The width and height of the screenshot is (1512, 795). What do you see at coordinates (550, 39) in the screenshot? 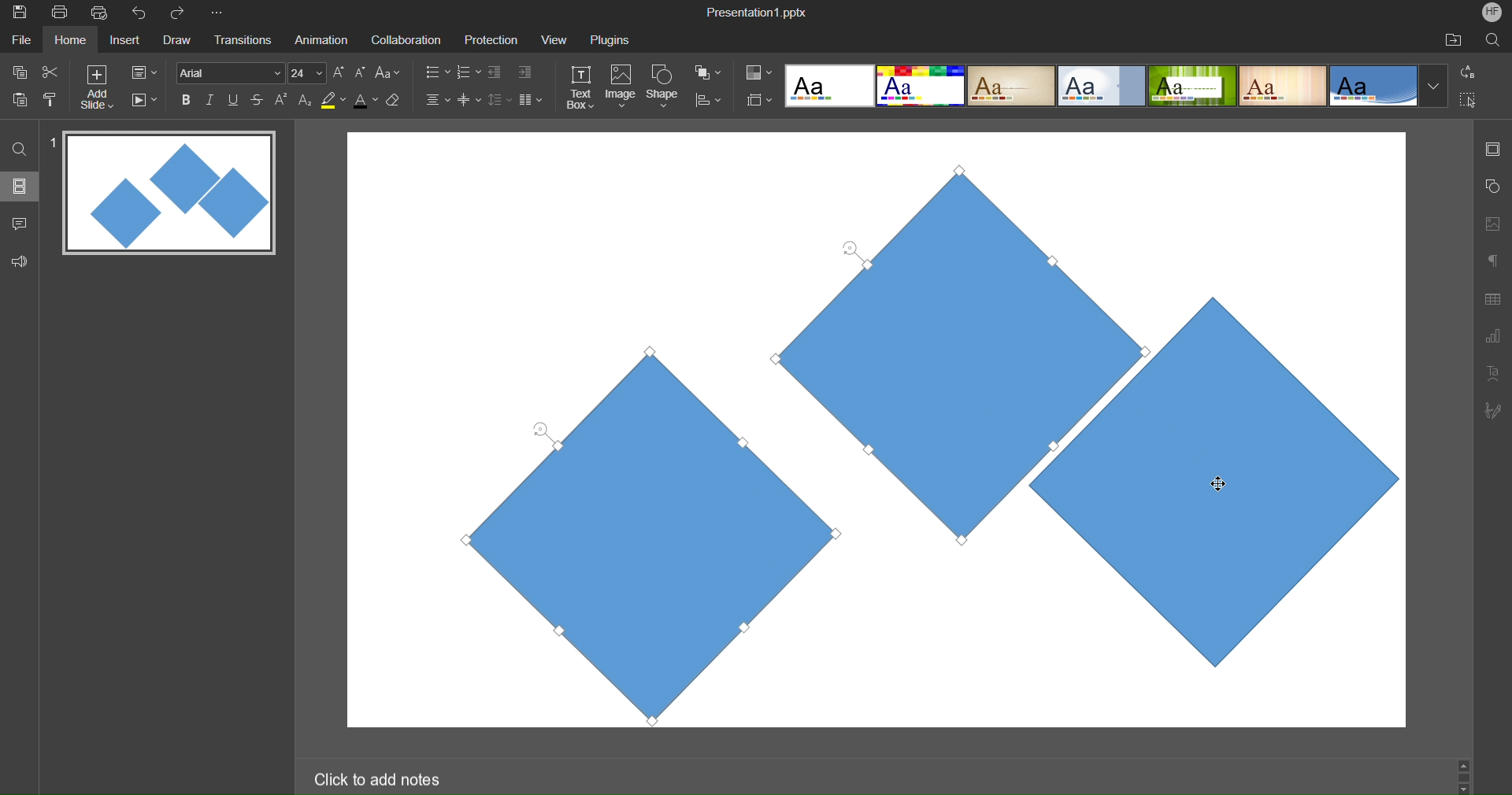
I see `View` at bounding box center [550, 39].